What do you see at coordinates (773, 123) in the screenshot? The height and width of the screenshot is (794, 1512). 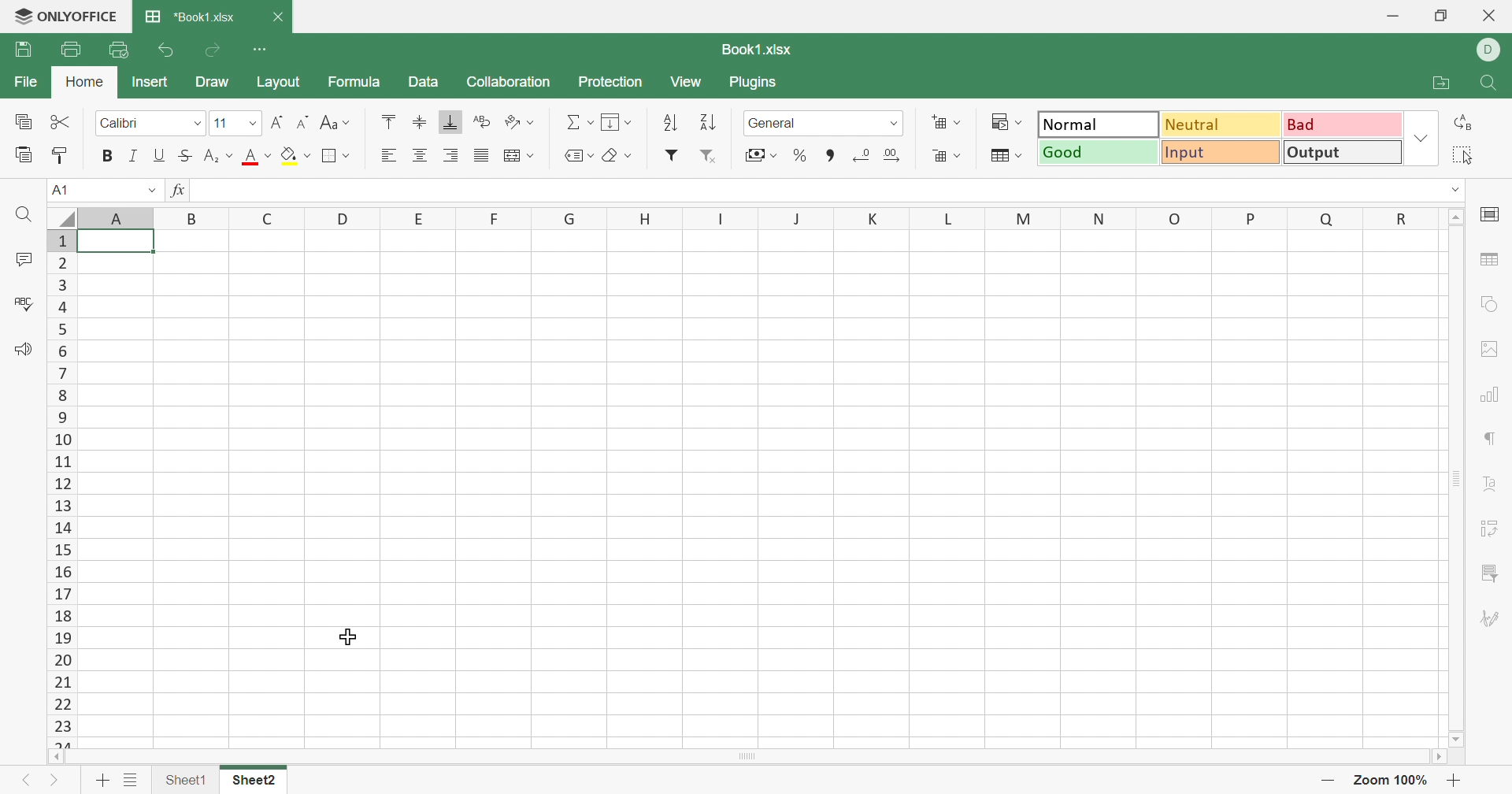 I see `General` at bounding box center [773, 123].